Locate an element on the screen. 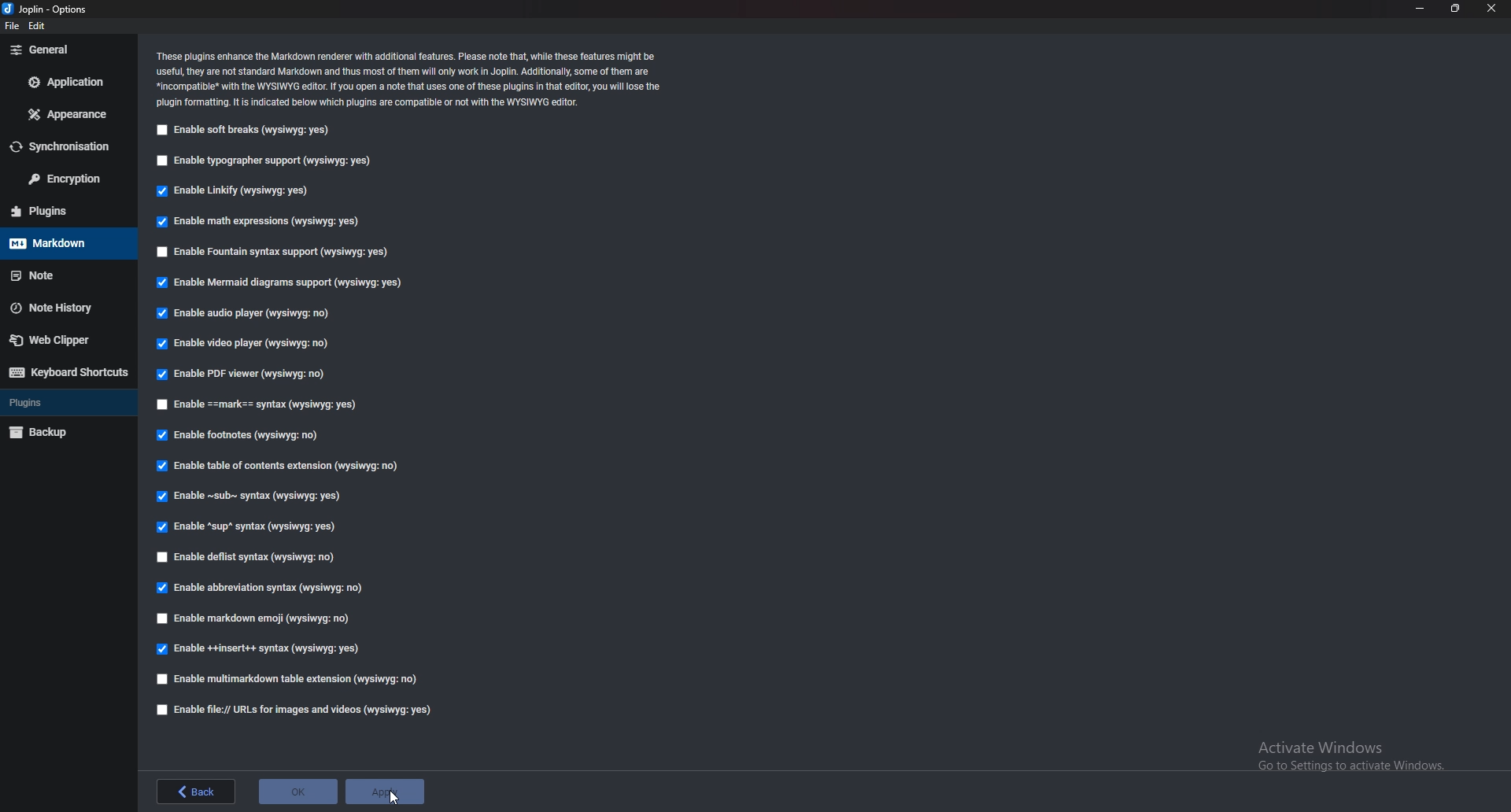 The height and width of the screenshot is (812, 1511). Backup is located at coordinates (63, 433).